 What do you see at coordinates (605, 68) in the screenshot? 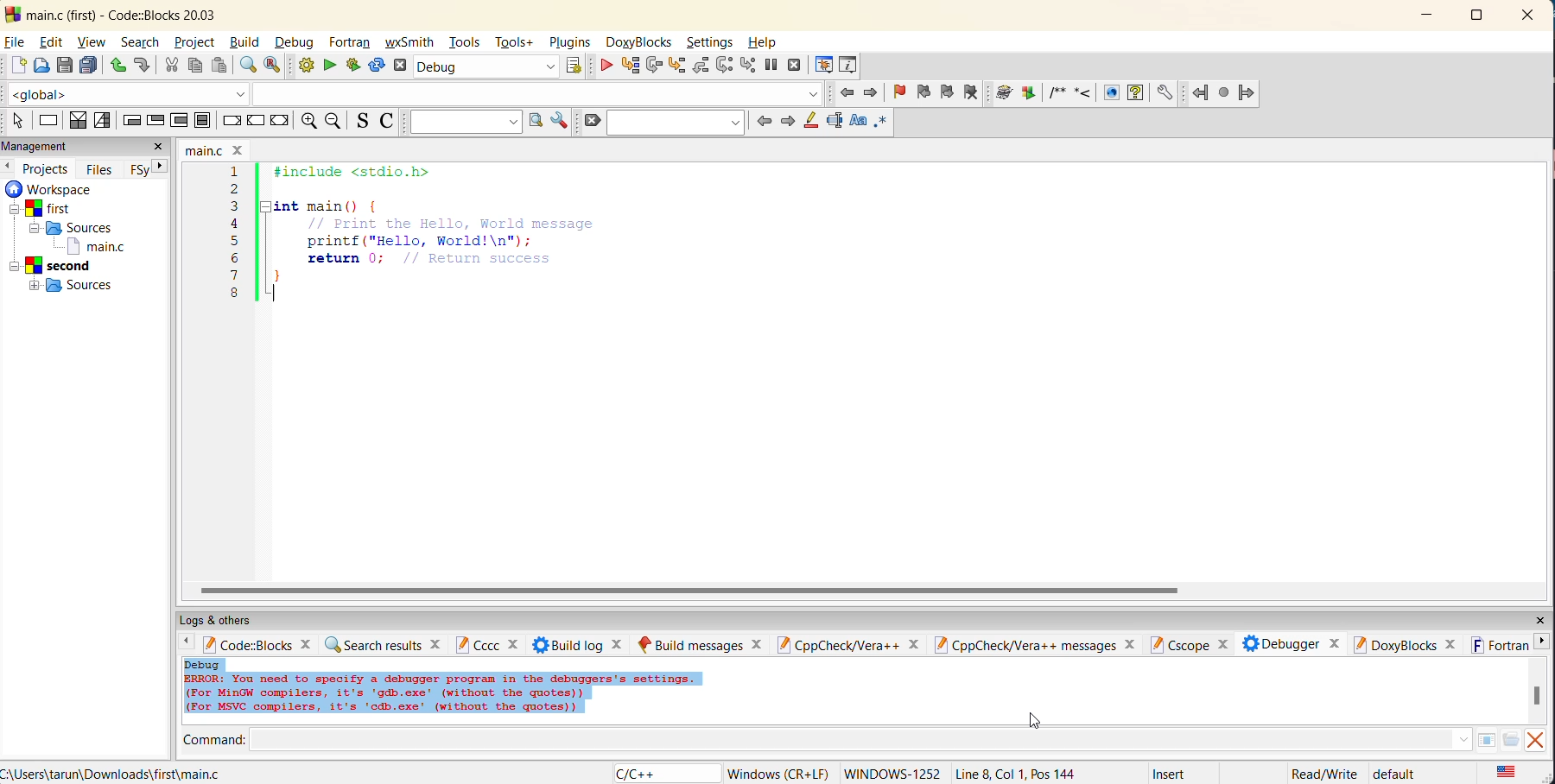
I see `debug/continue` at bounding box center [605, 68].